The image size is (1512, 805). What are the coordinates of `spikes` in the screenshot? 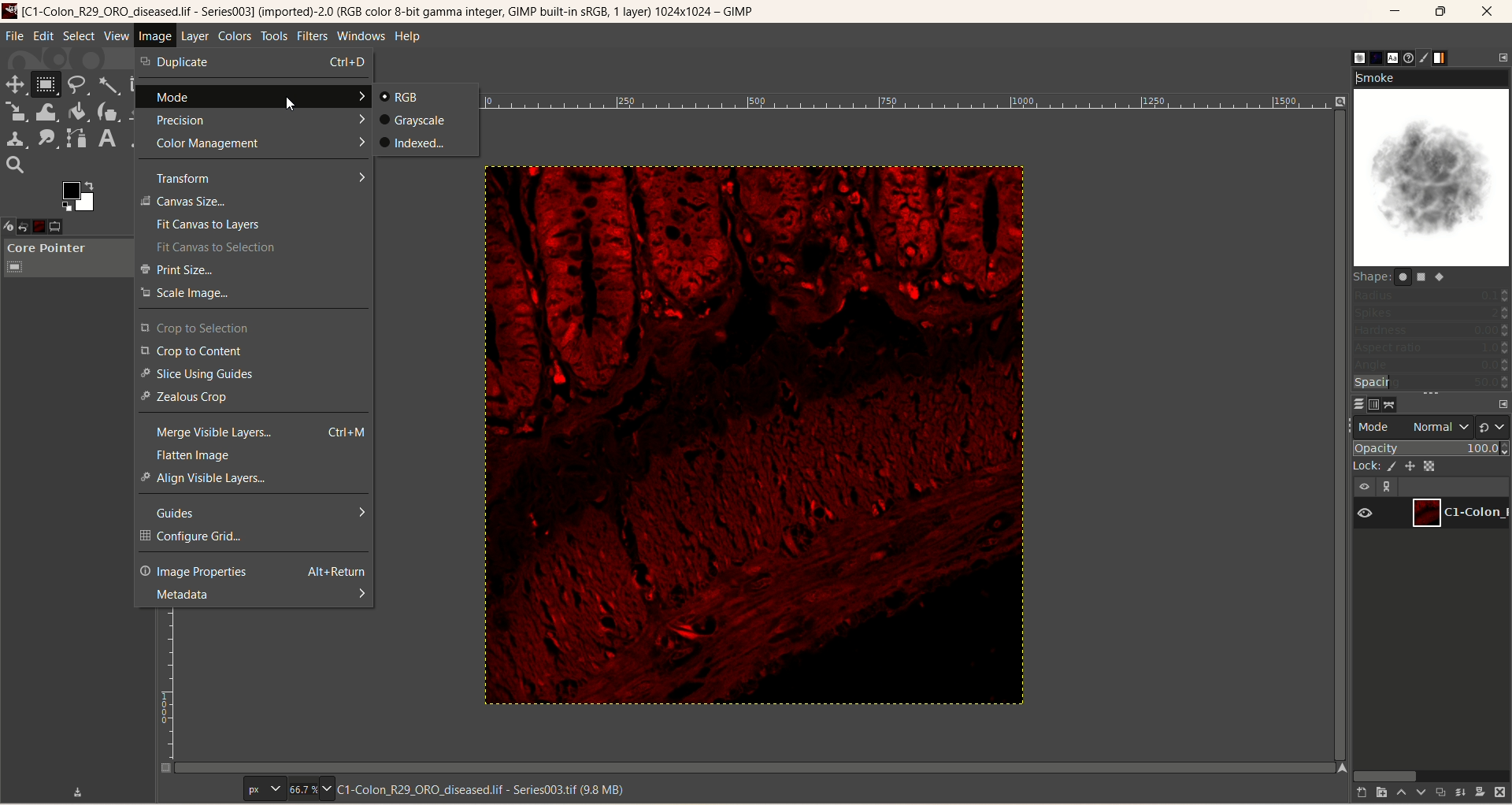 It's located at (1432, 313).